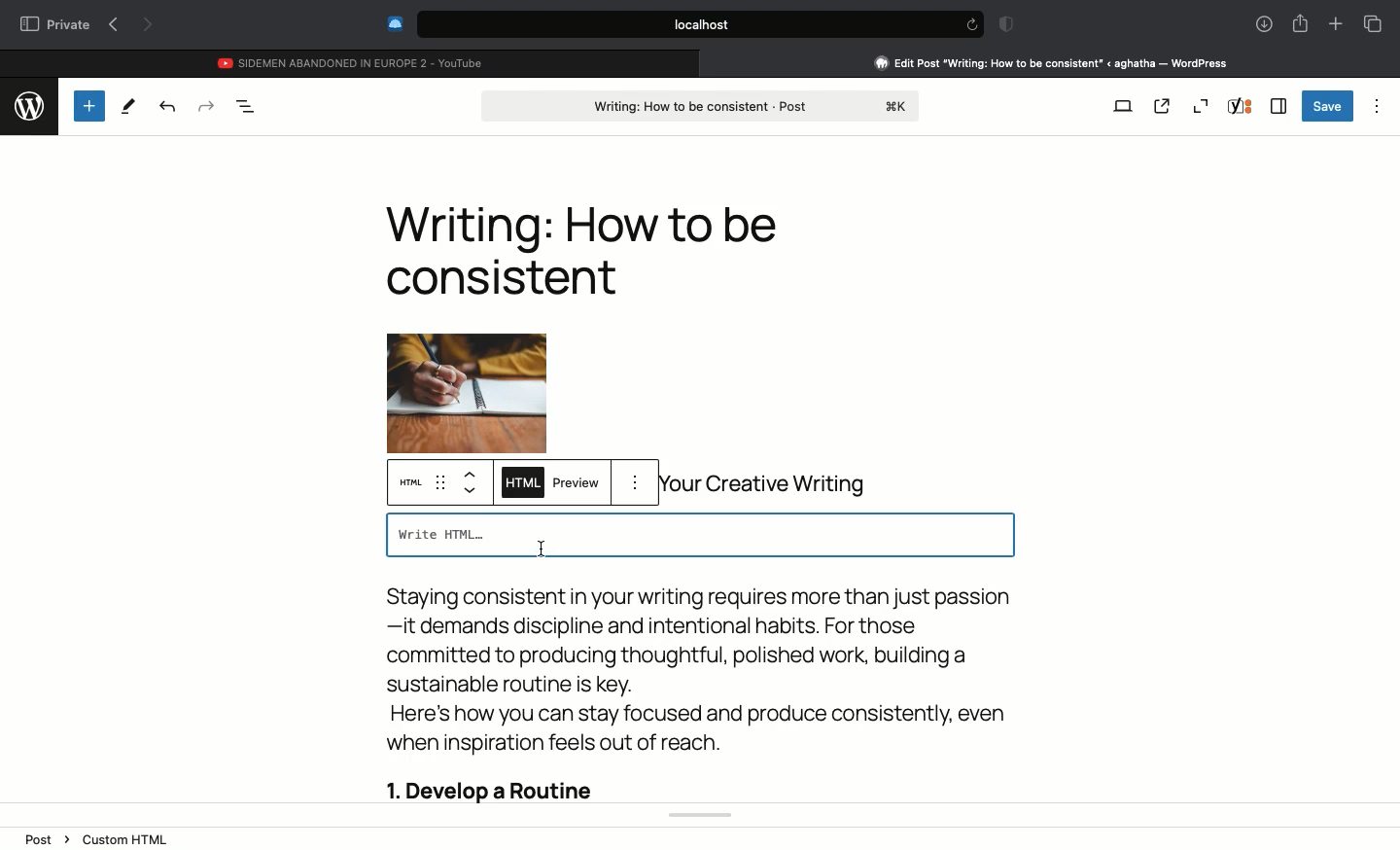  I want to click on your creative writing, so click(773, 484).